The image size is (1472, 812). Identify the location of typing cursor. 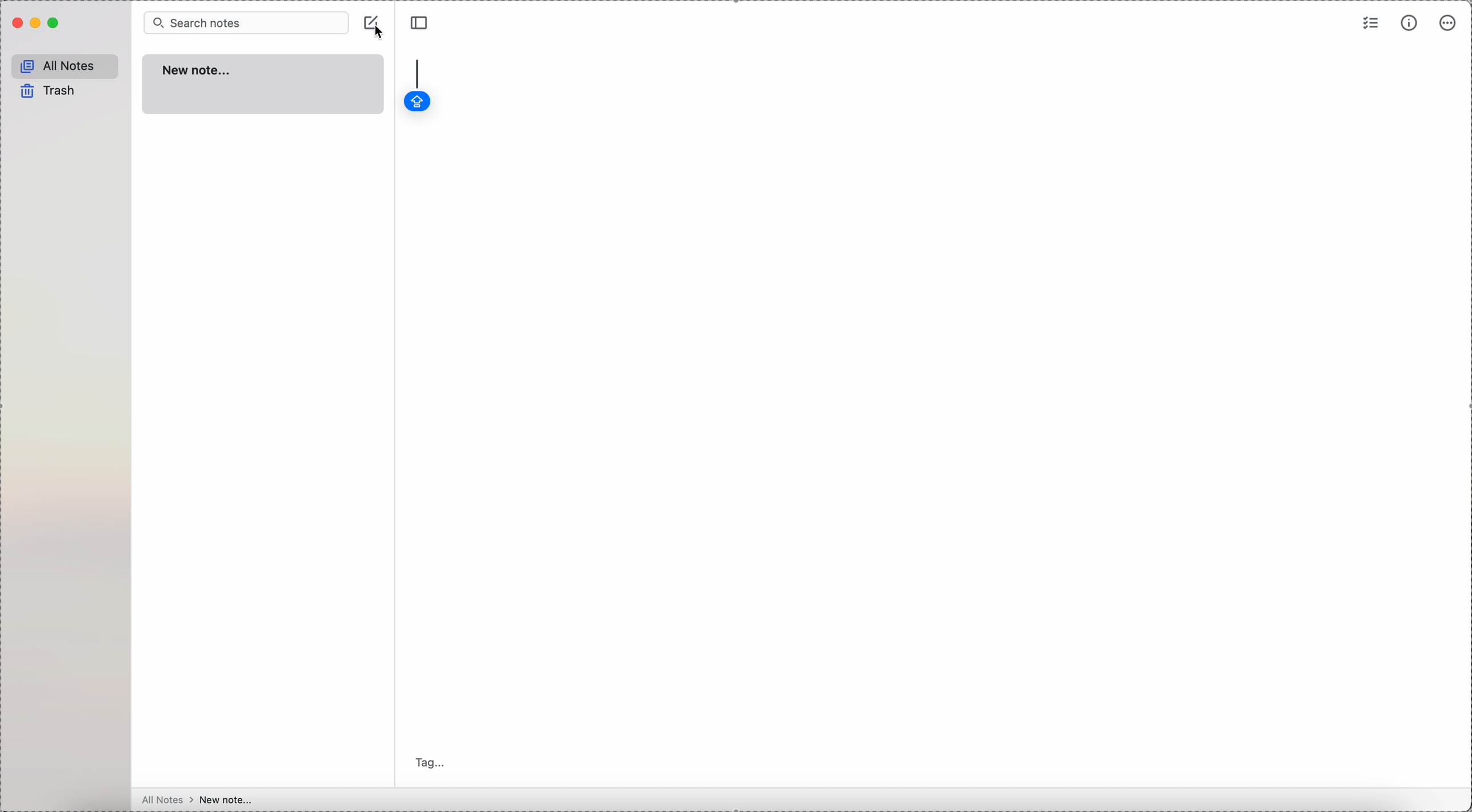
(417, 71).